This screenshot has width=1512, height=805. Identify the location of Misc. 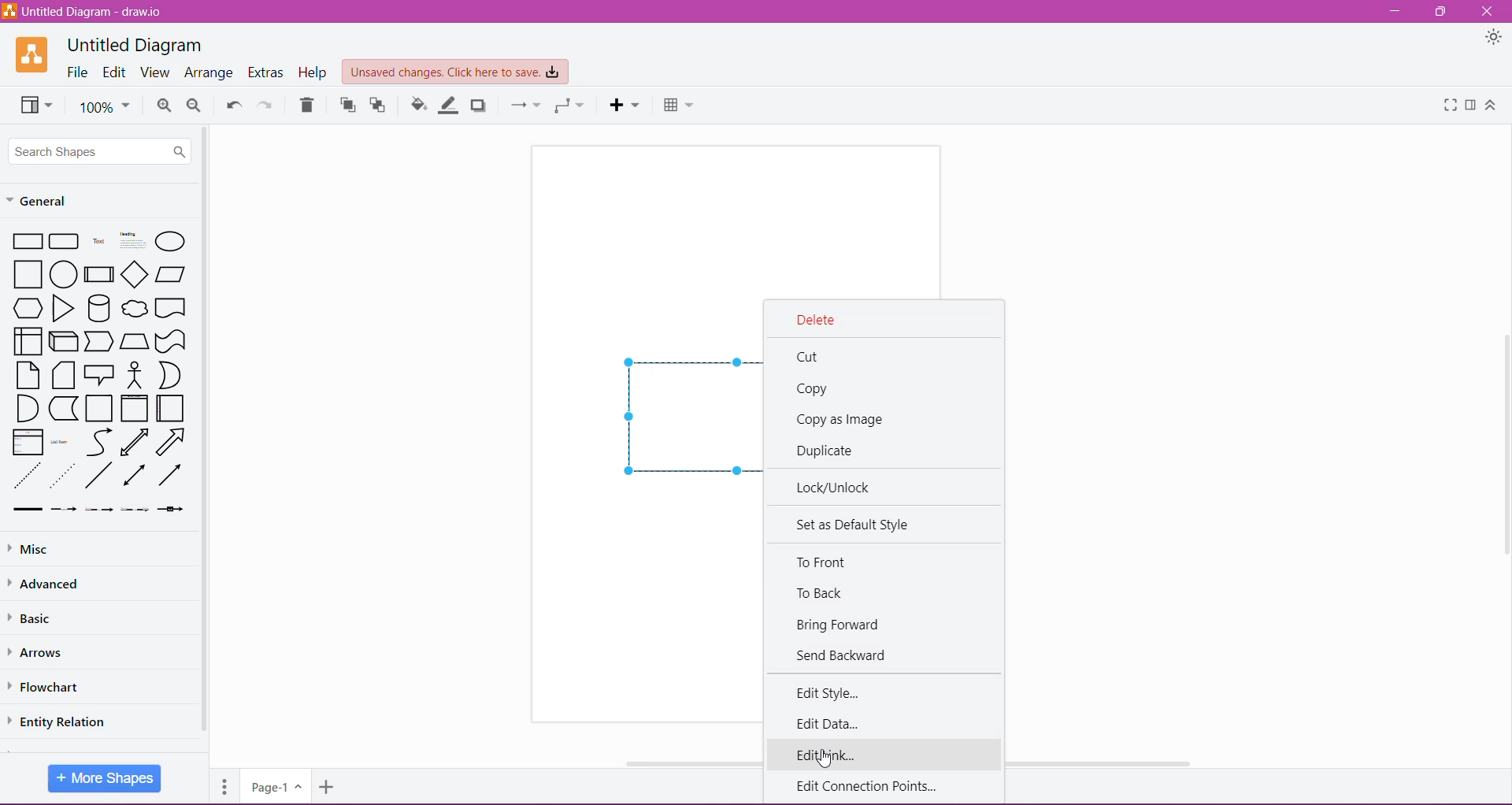
(35, 550).